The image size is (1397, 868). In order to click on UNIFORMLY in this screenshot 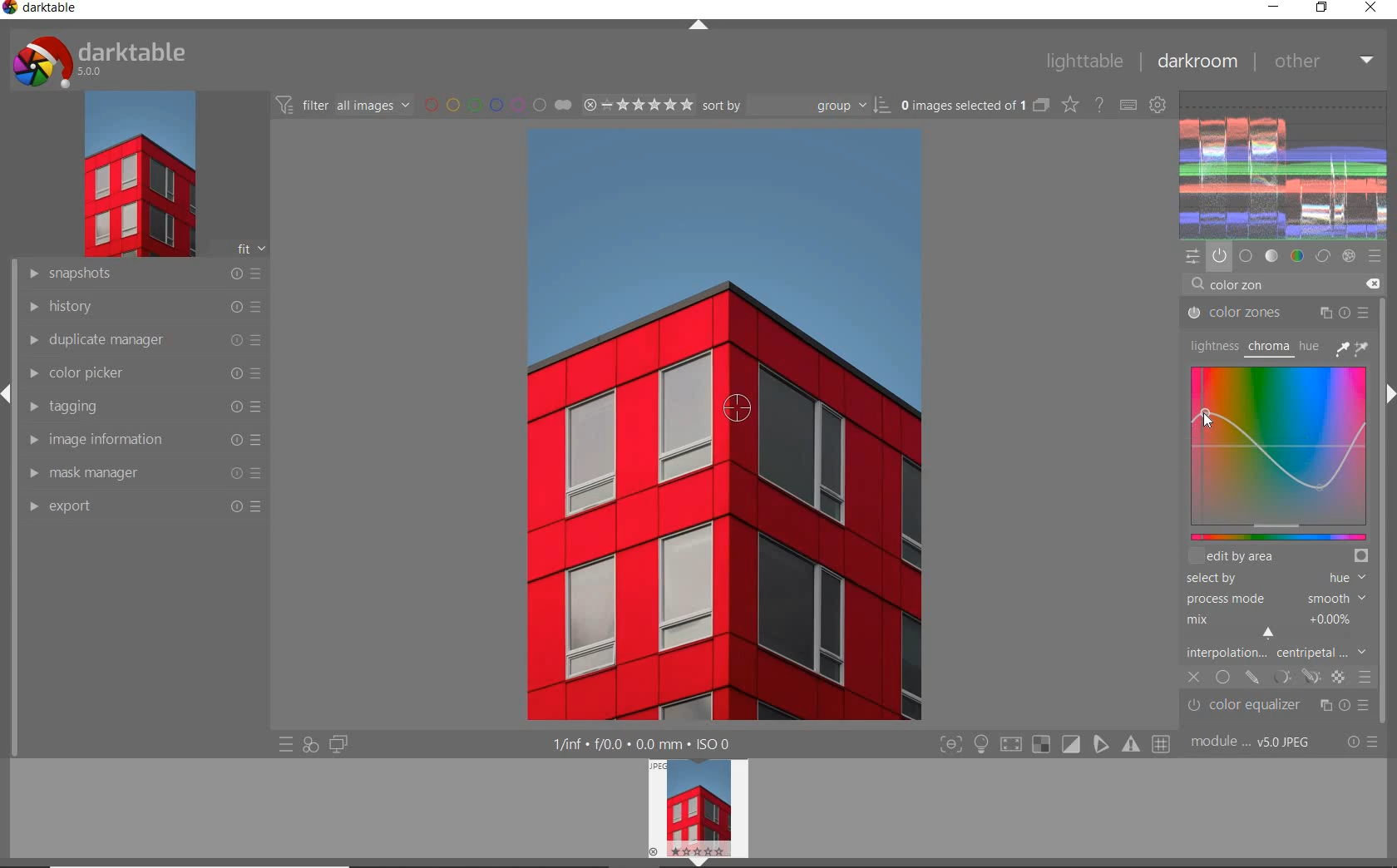, I will do `click(1222, 678)`.